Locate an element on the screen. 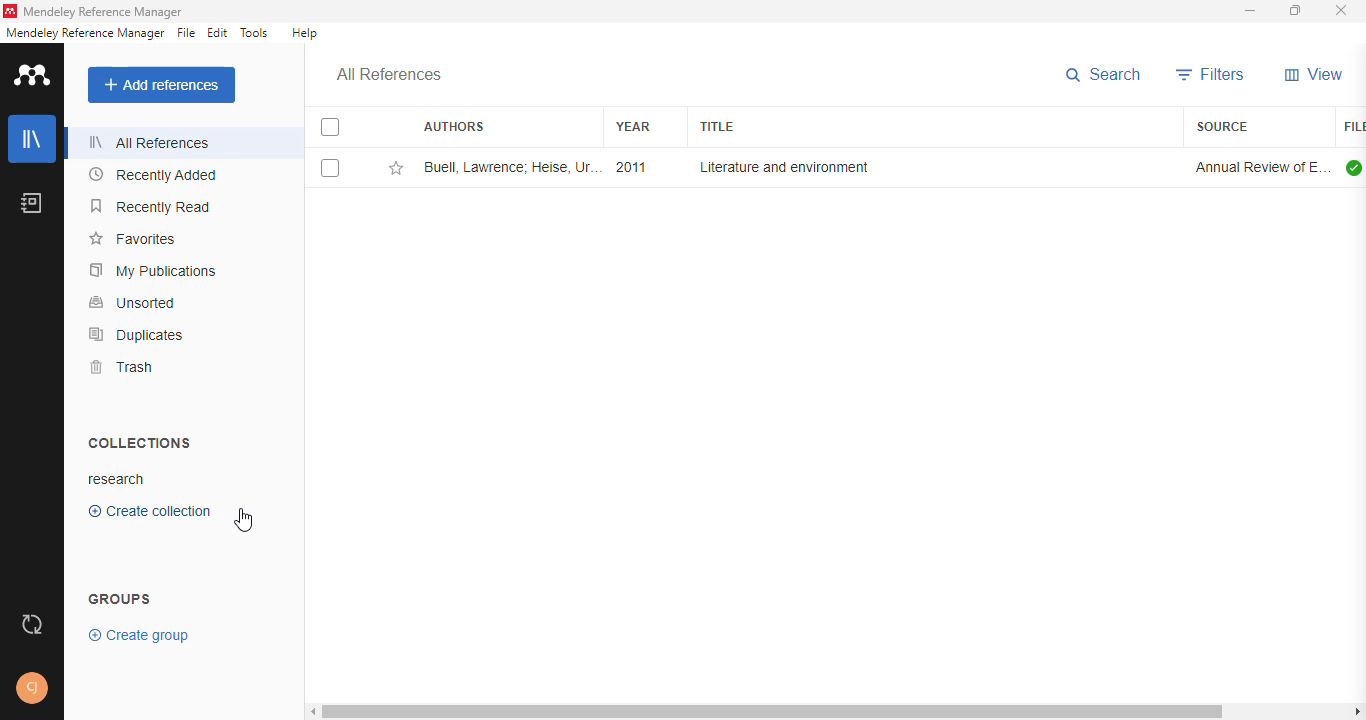 The image size is (1366, 720). all references is located at coordinates (388, 75).